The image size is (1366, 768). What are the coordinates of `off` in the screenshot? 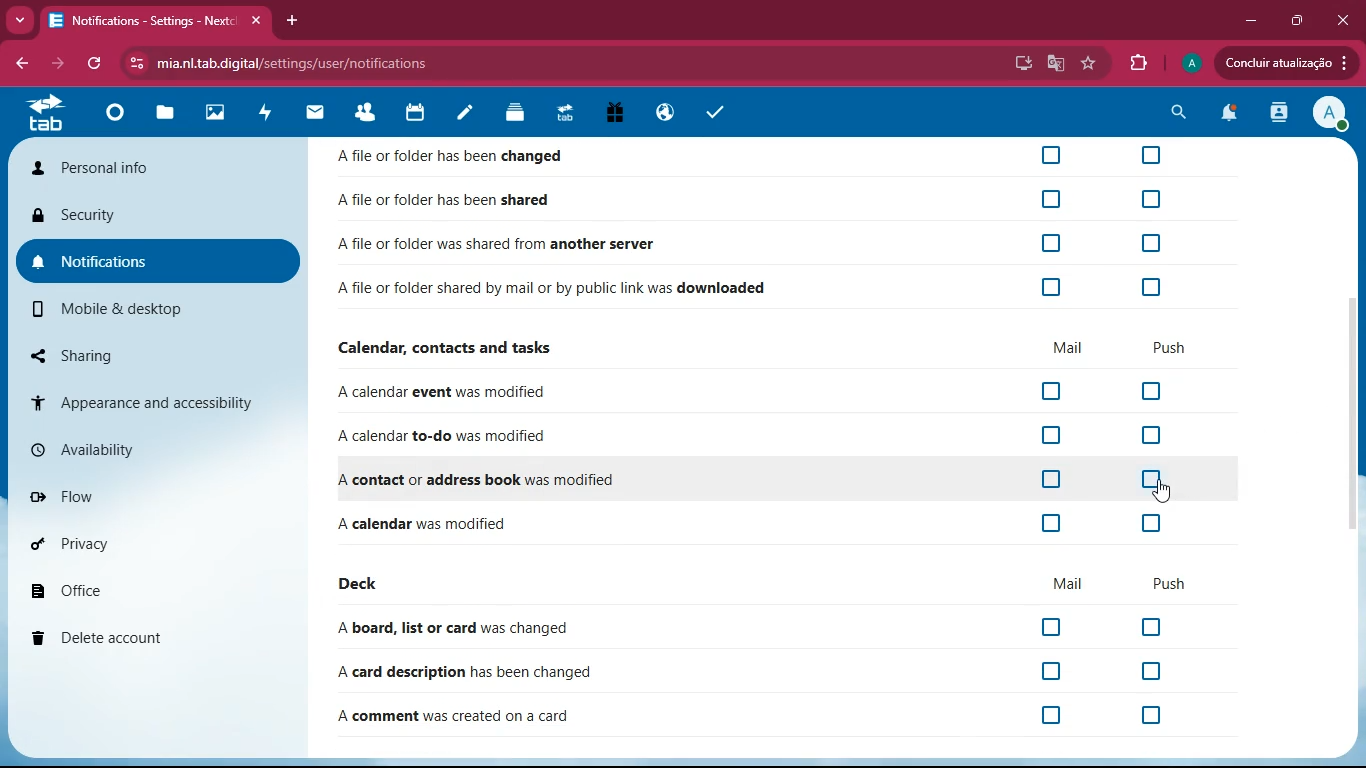 It's located at (1051, 153).